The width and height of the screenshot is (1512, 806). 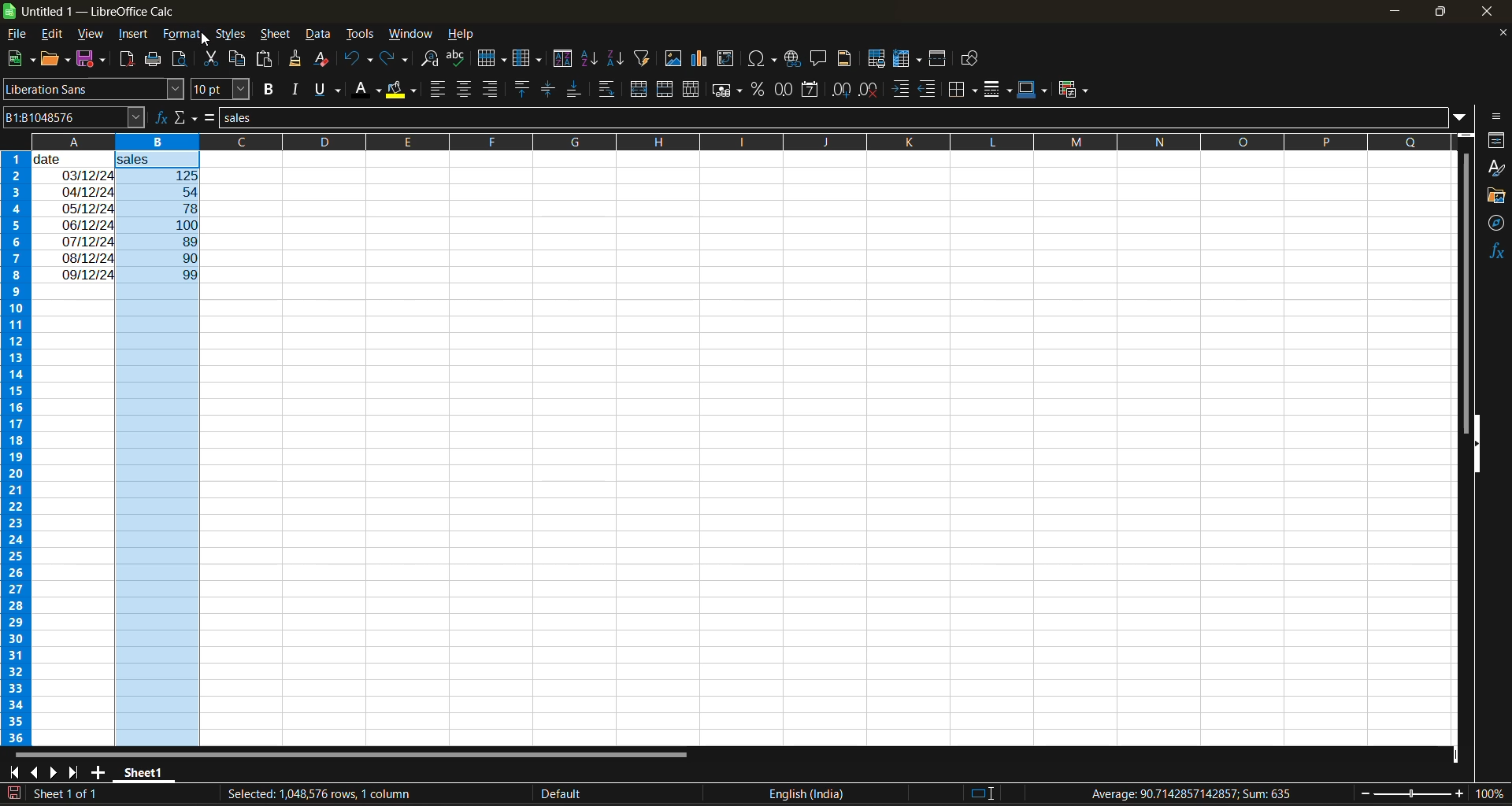 What do you see at coordinates (187, 117) in the screenshot?
I see `select function` at bounding box center [187, 117].